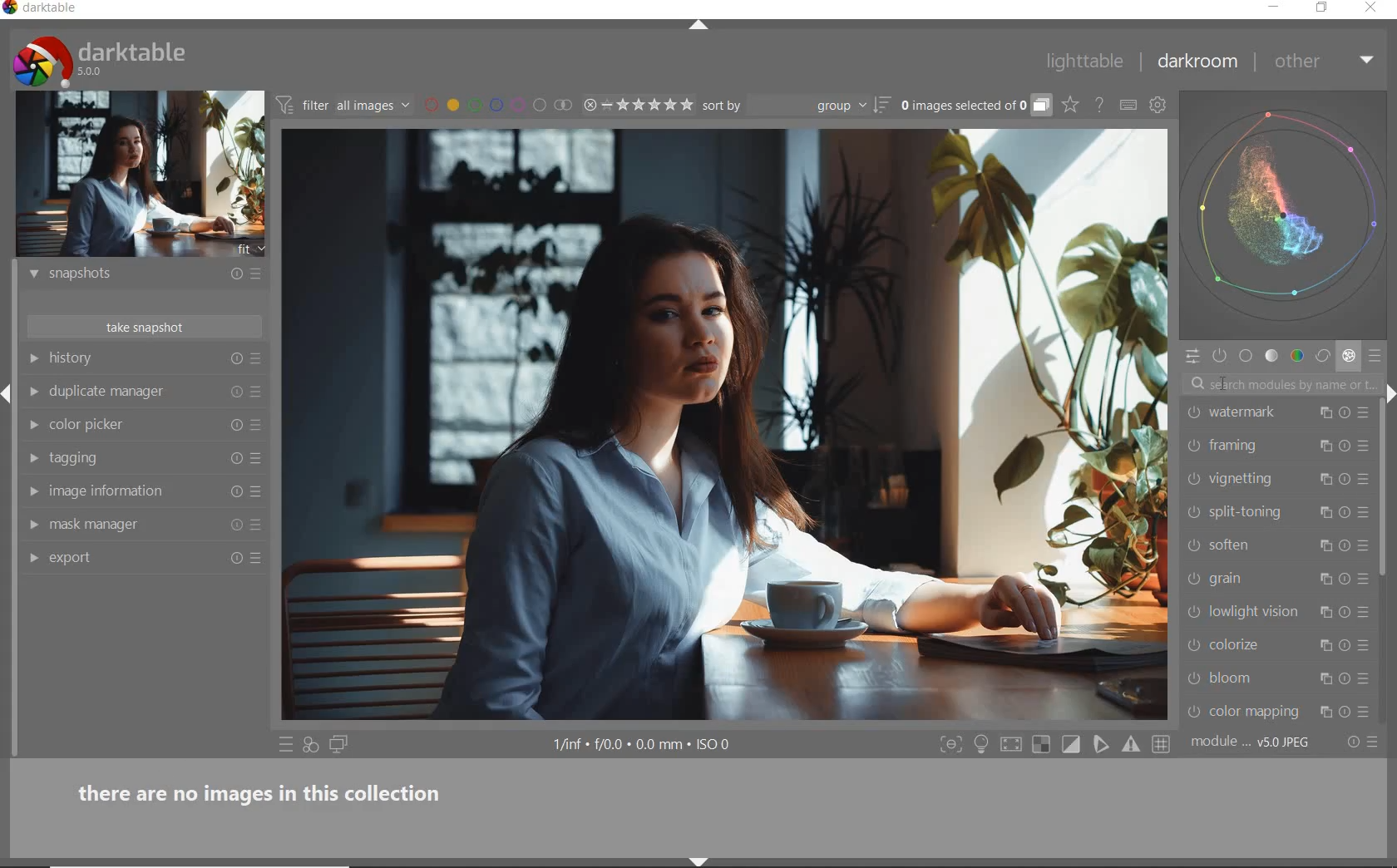 The image size is (1397, 868). Describe the element at coordinates (1324, 712) in the screenshot. I see `multiple instance actions` at that location.